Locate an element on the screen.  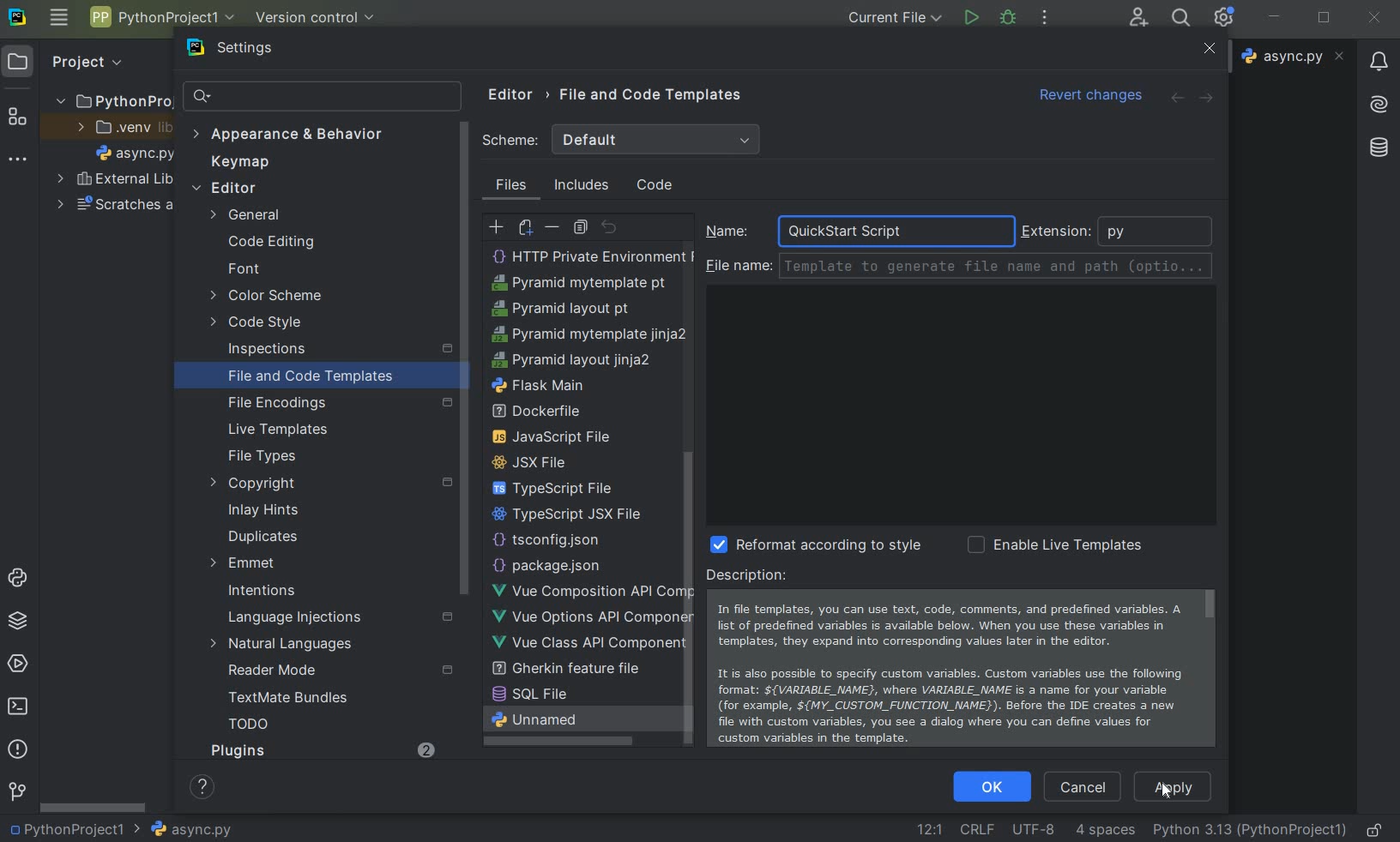
setup script is located at coordinates (546, 434).